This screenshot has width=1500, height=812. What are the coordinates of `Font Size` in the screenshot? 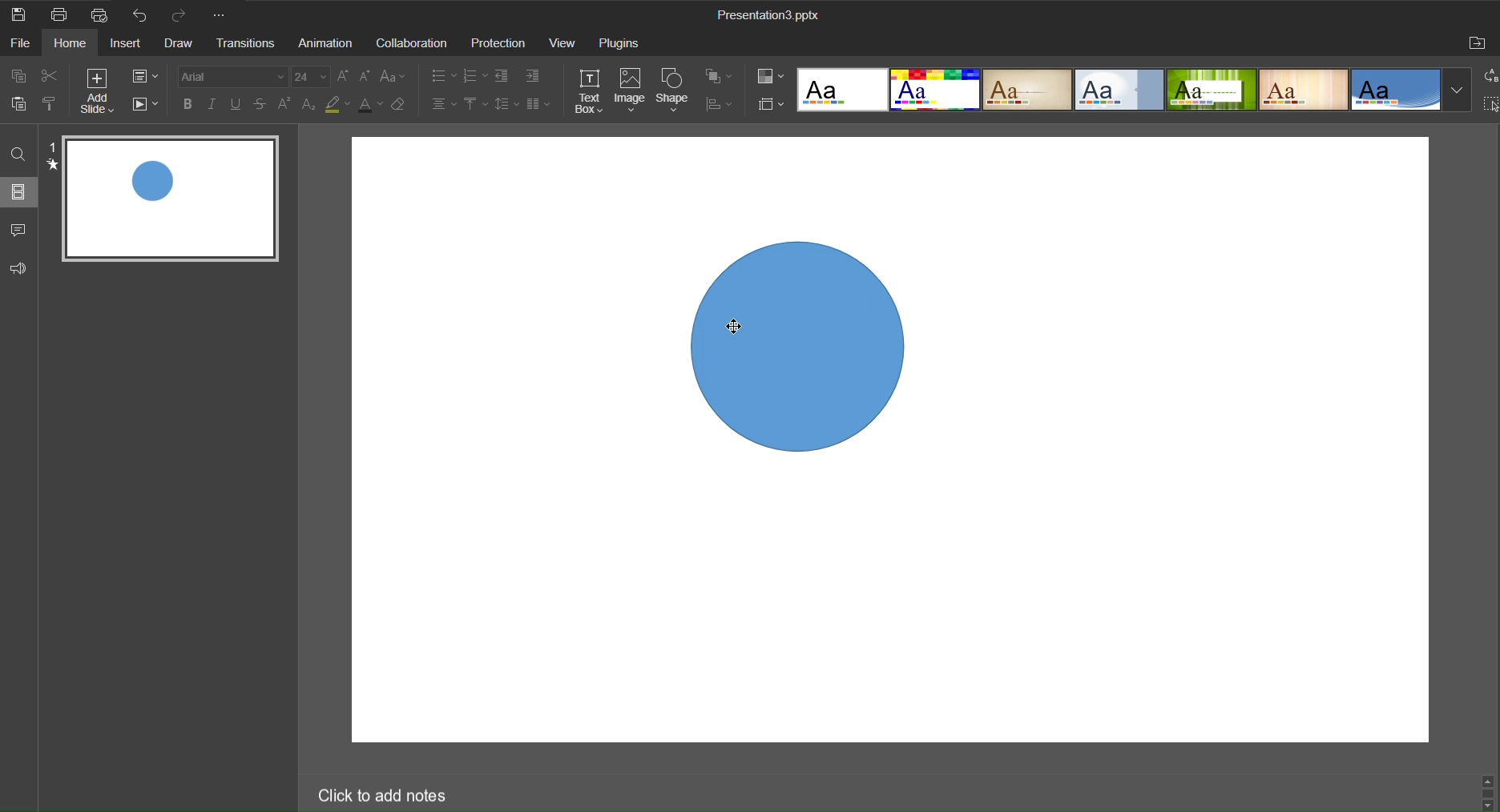 It's located at (345, 78).